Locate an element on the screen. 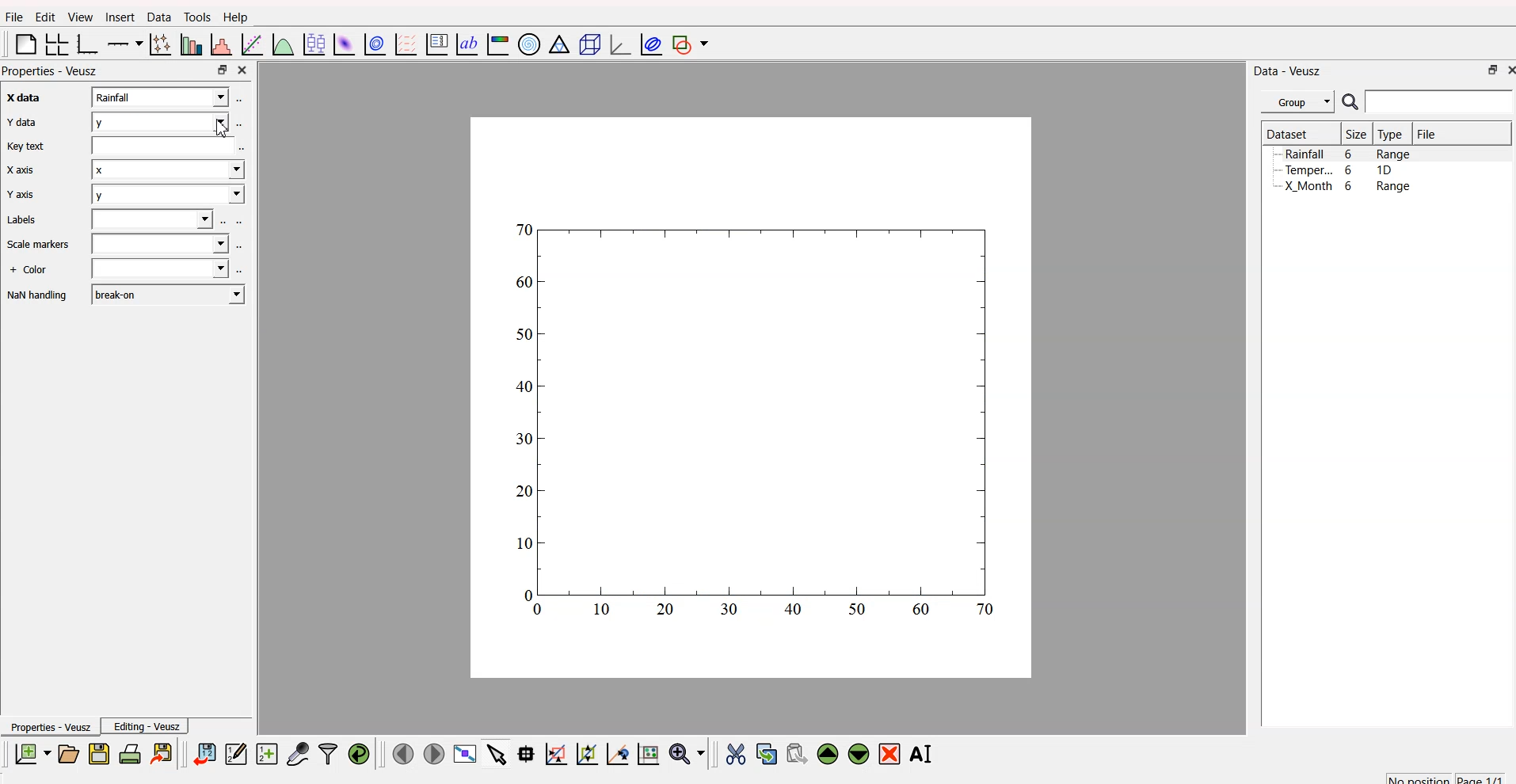  reset graph axes is located at coordinates (651, 752).